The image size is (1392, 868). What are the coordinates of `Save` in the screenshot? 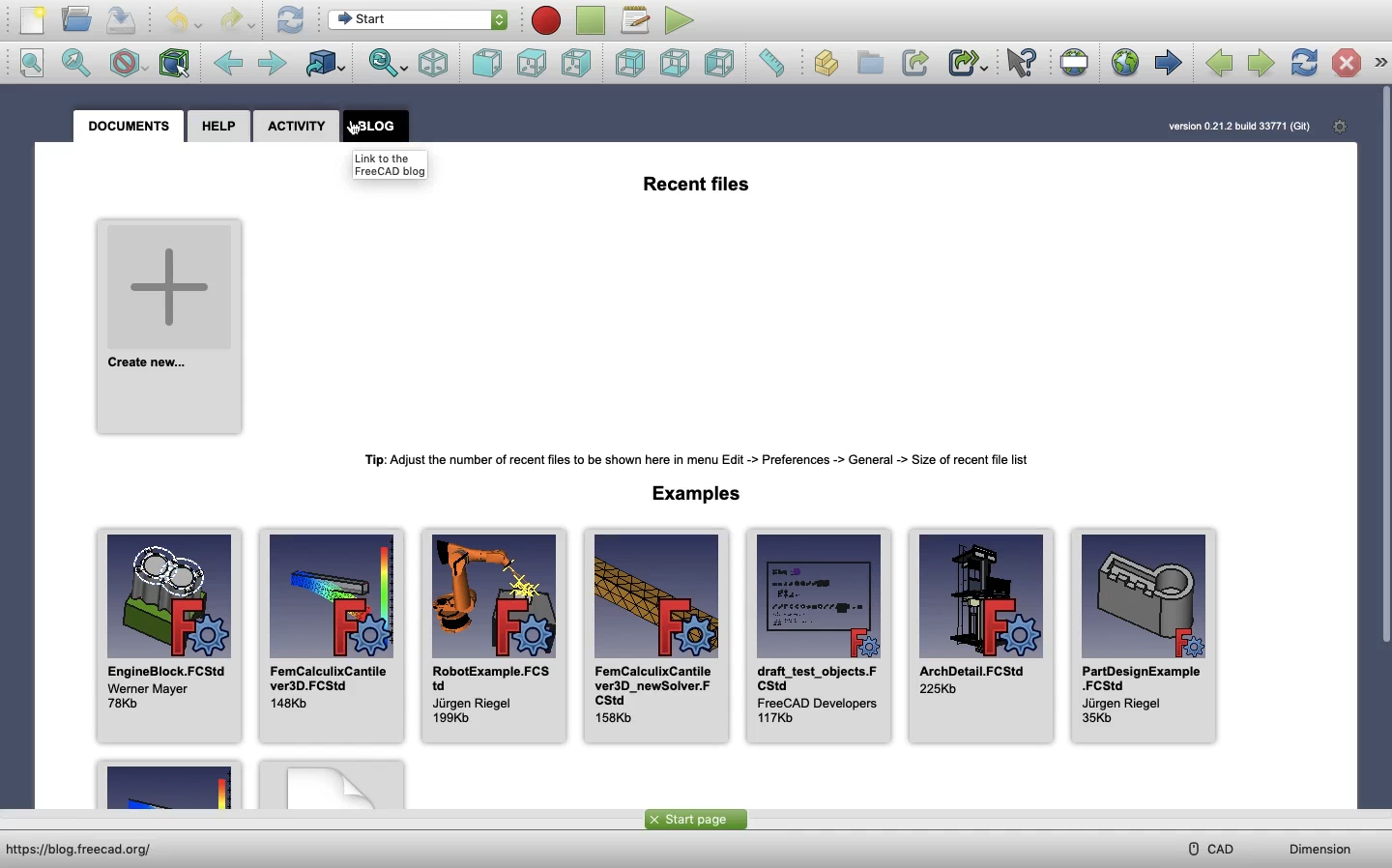 It's located at (121, 19).